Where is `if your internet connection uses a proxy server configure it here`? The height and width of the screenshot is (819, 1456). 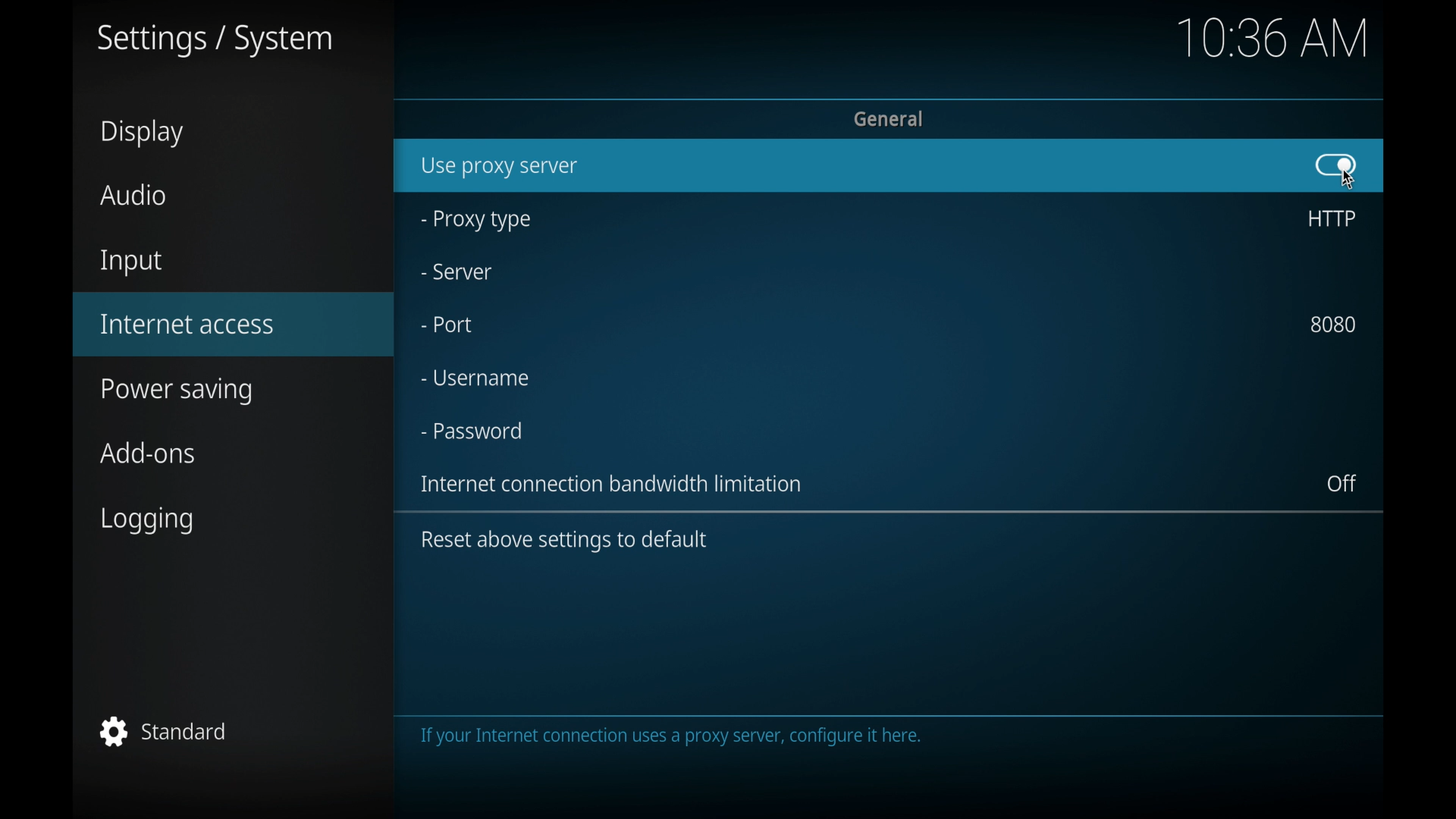 if your internet connection uses a proxy server configure it here is located at coordinates (879, 748).